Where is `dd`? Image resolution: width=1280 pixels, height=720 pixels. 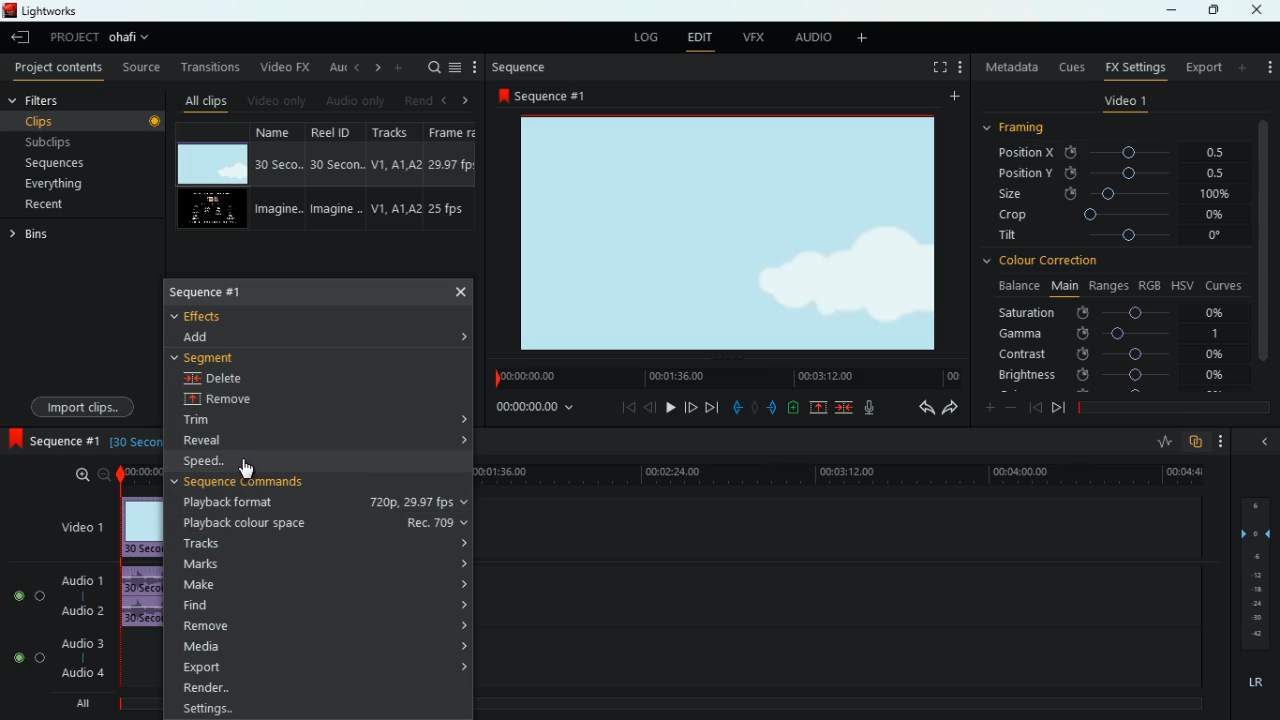 dd is located at coordinates (230, 337).